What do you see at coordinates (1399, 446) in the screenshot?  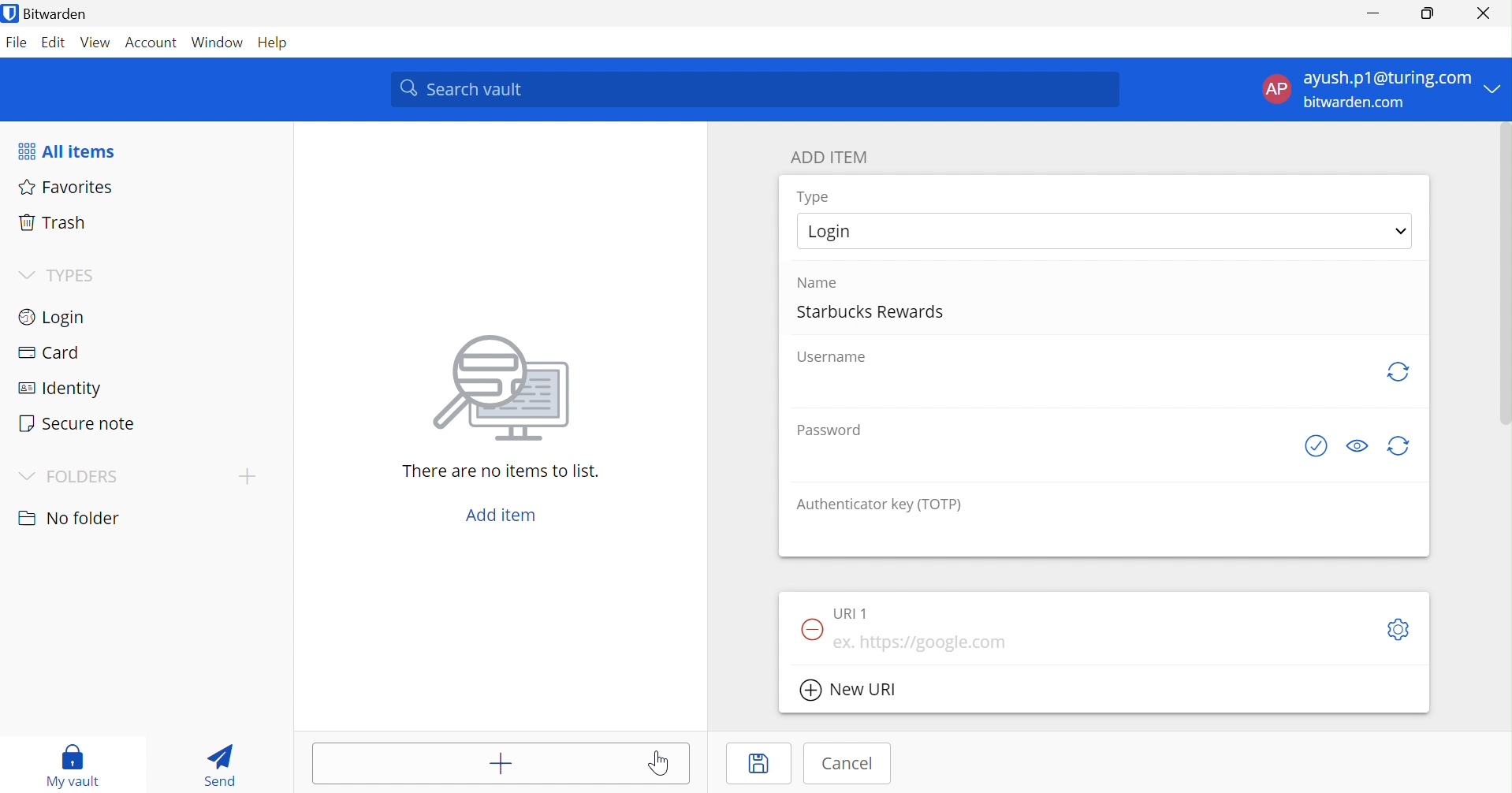 I see `Regenerate Password` at bounding box center [1399, 446].